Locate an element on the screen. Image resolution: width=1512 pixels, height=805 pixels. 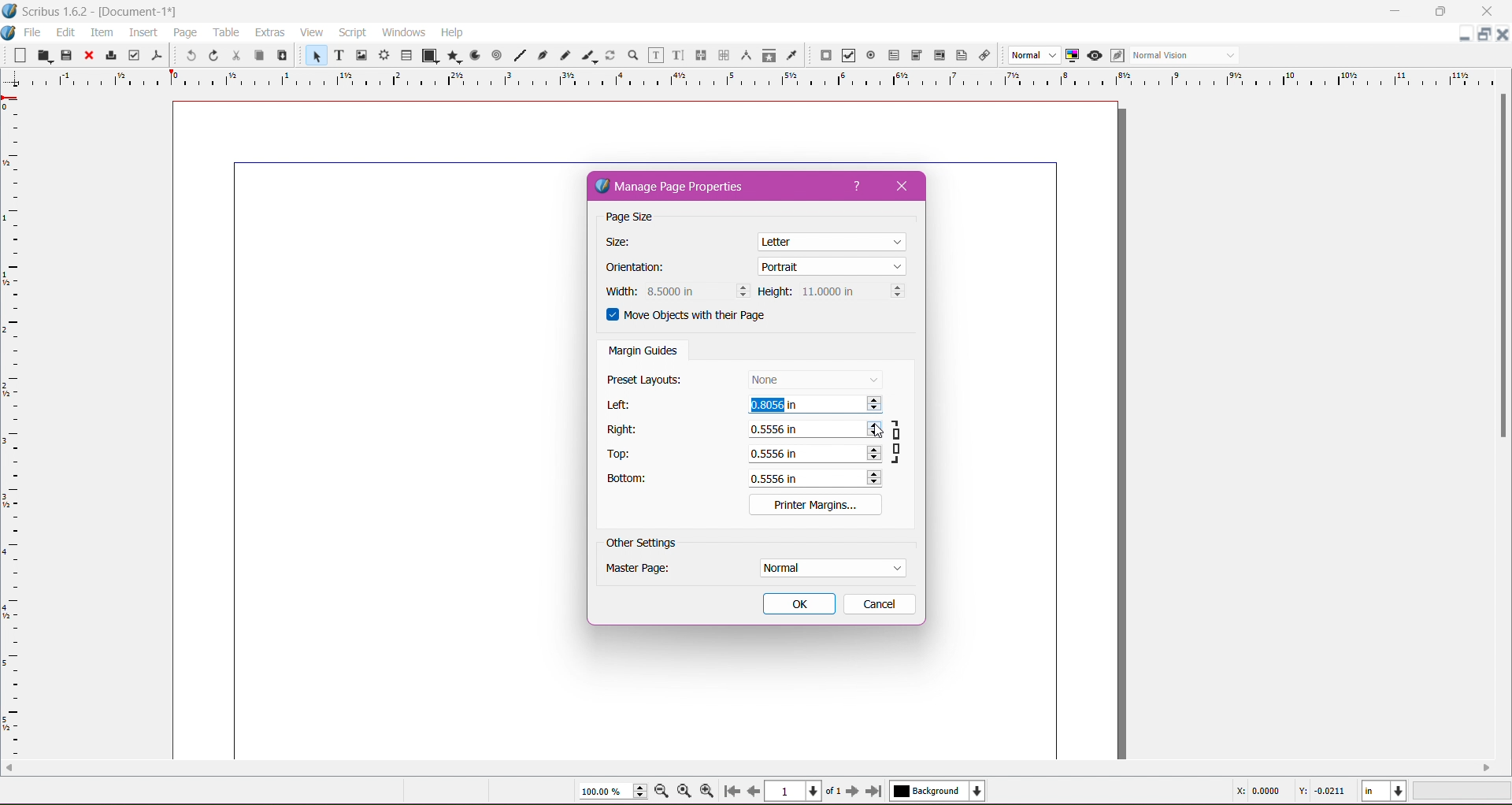
Image Frame is located at coordinates (362, 56).